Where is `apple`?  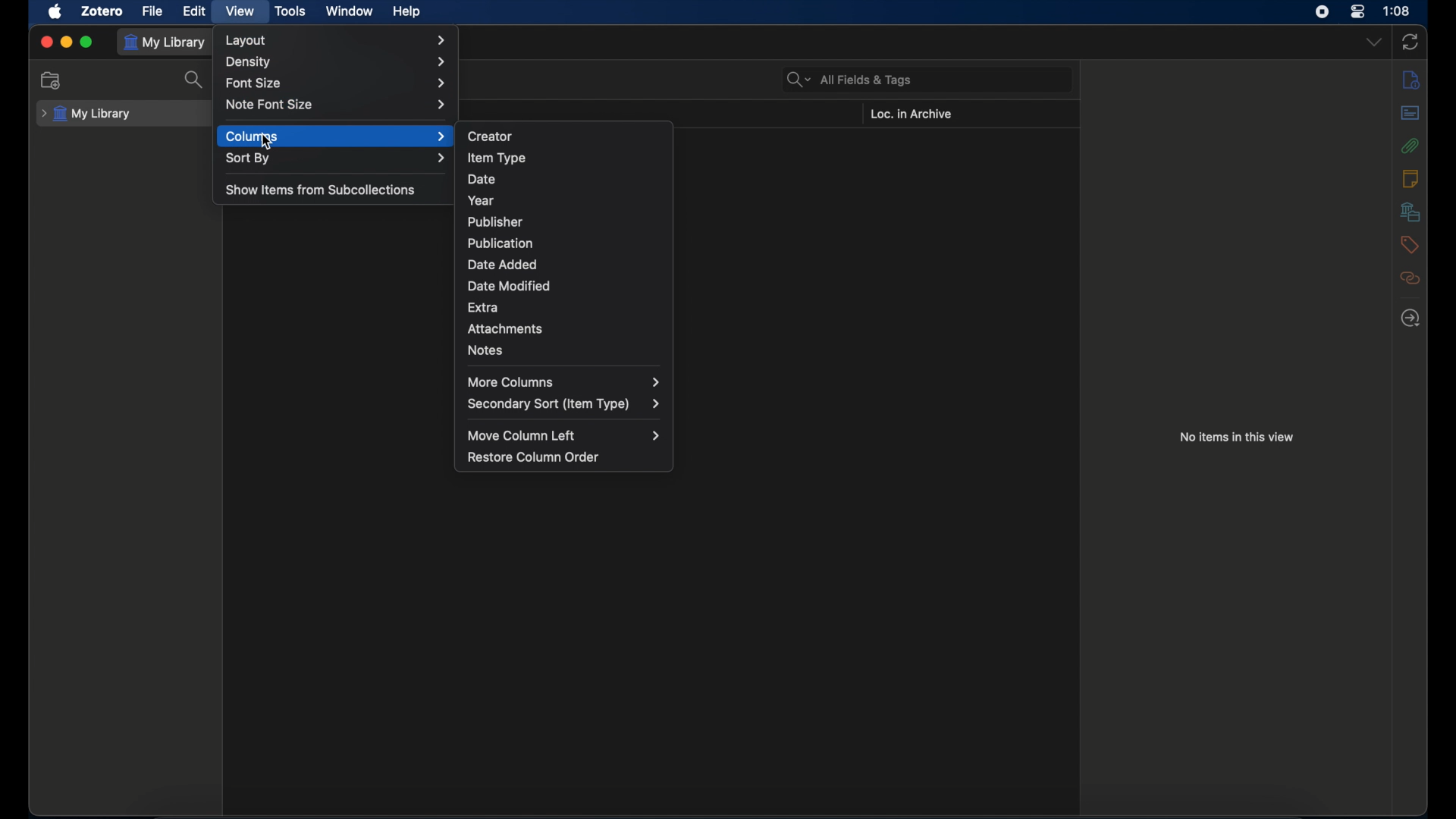
apple is located at coordinates (56, 12).